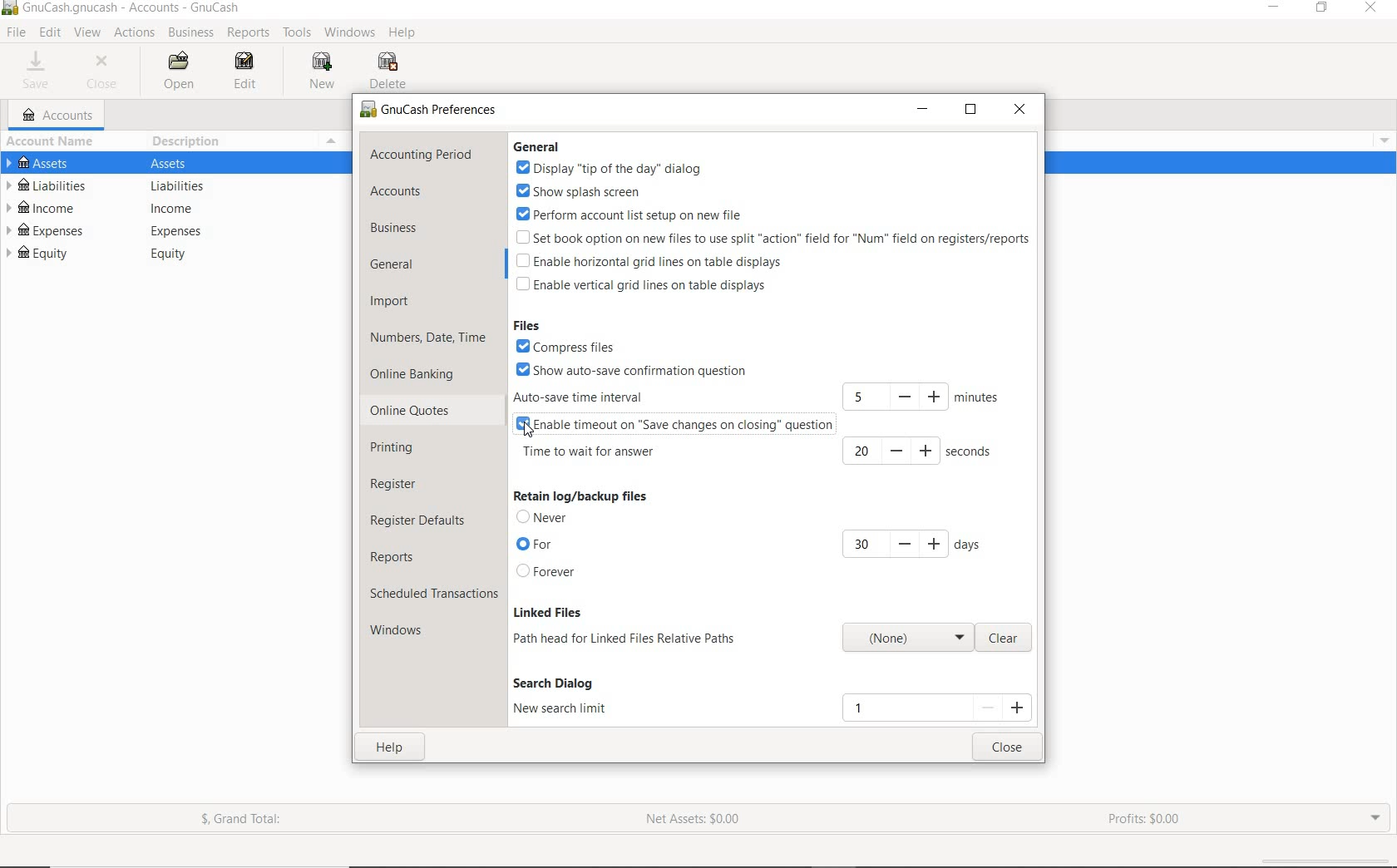  I want to click on EDIT, so click(50, 33).